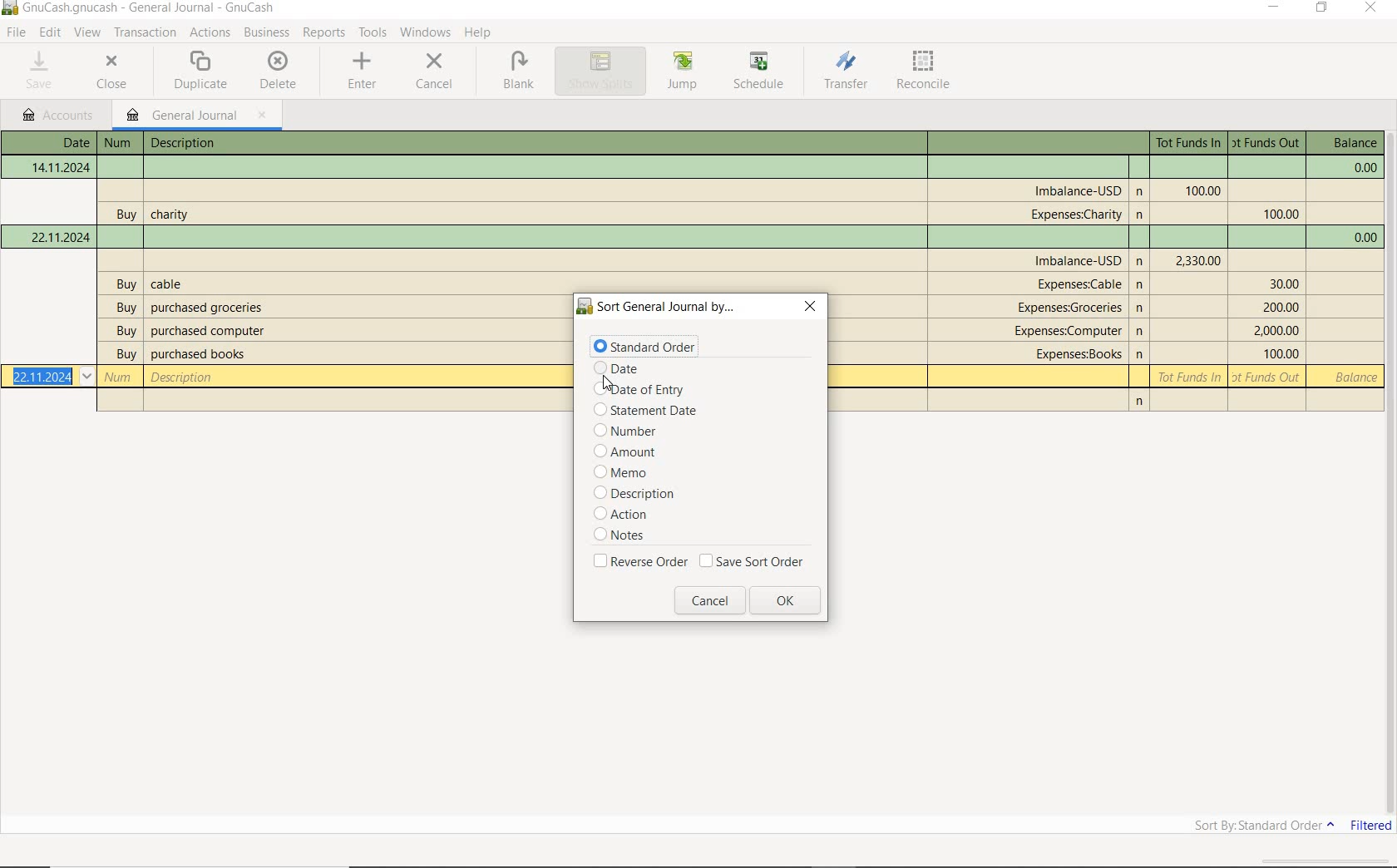 This screenshot has height=868, width=1397. Describe the element at coordinates (791, 600) in the screenshot. I see `ok` at that location.